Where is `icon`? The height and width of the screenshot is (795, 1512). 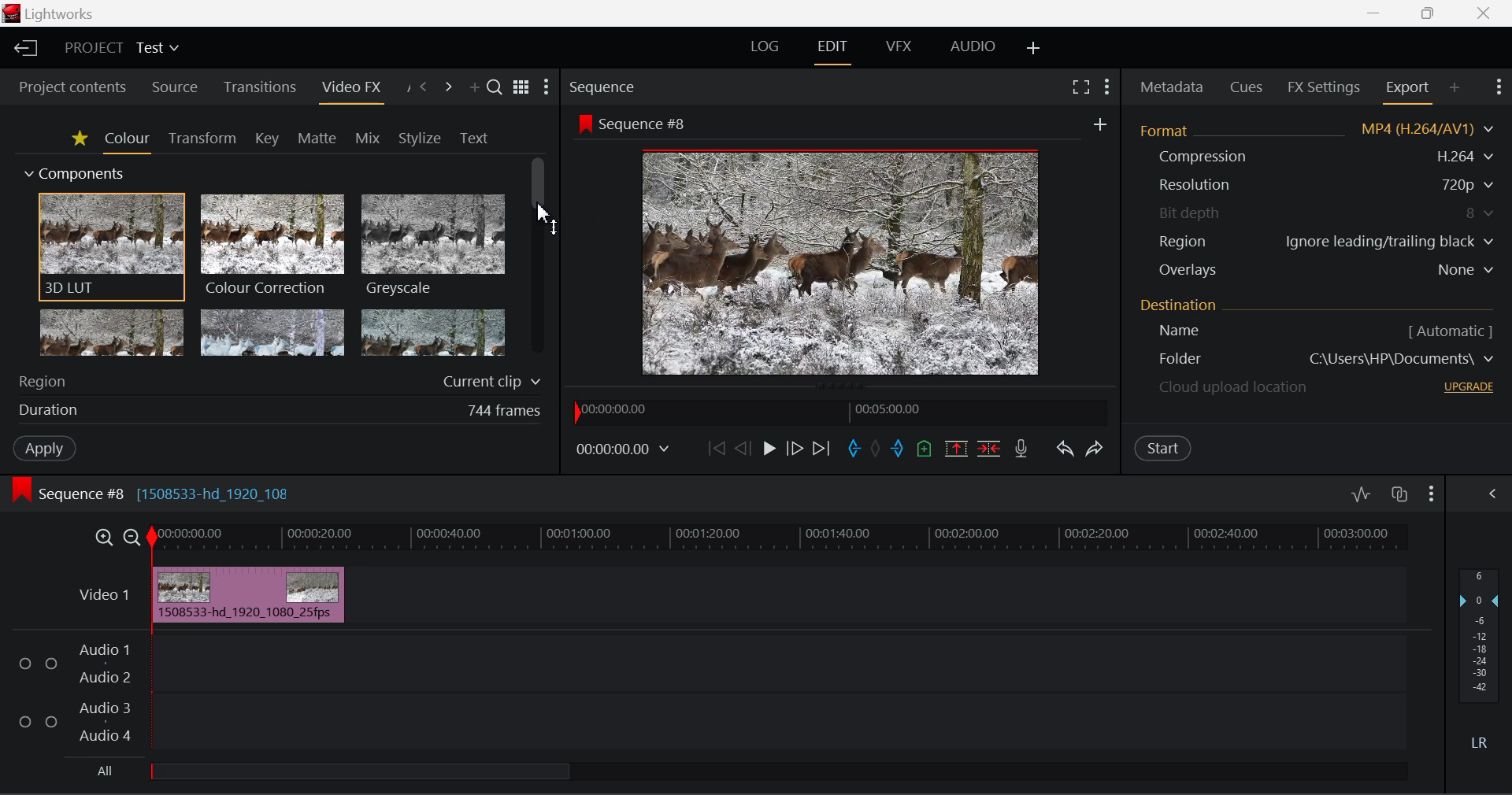
icon is located at coordinates (584, 124).